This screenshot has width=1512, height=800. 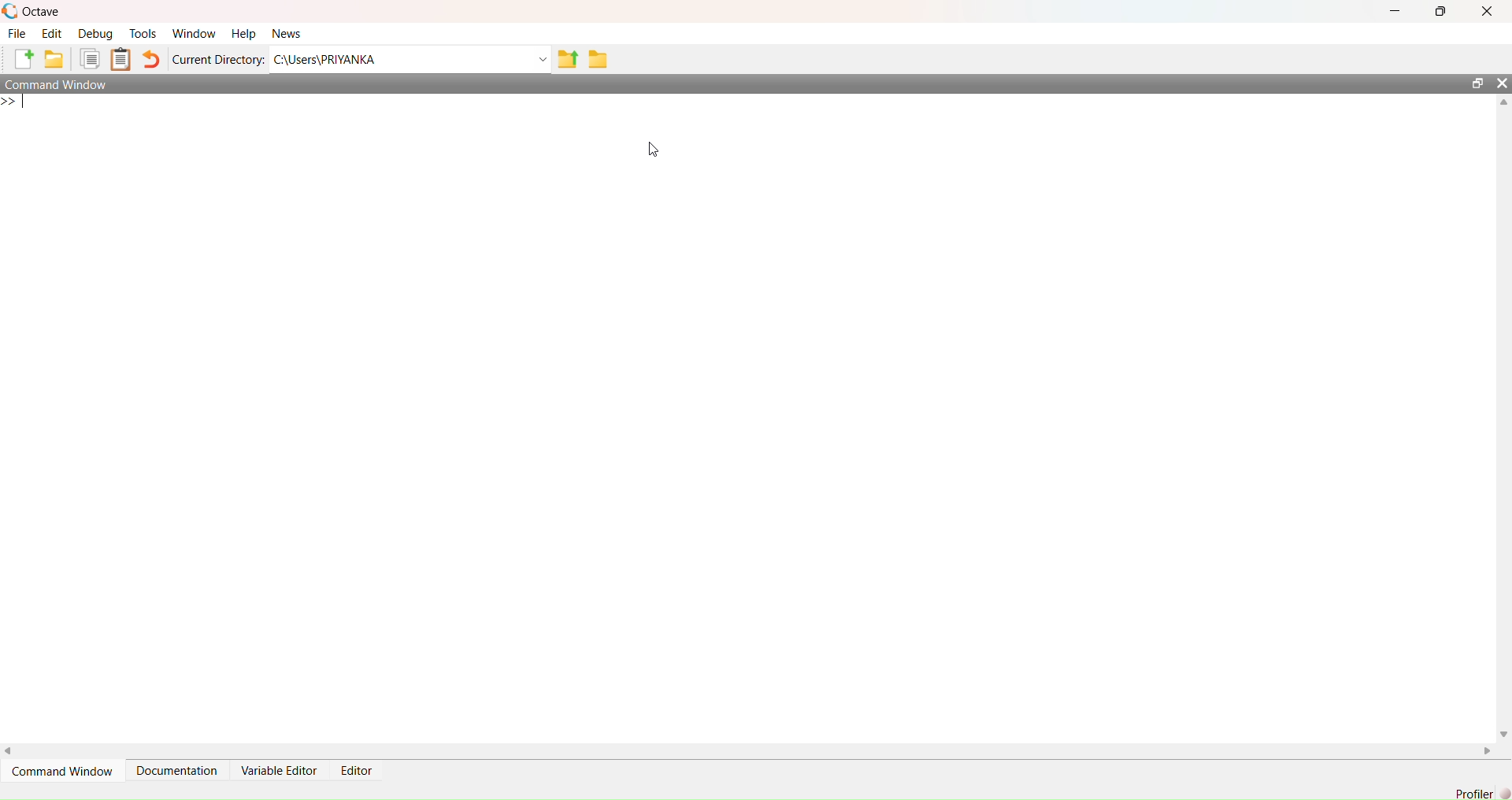 I want to click on New script, so click(x=21, y=59).